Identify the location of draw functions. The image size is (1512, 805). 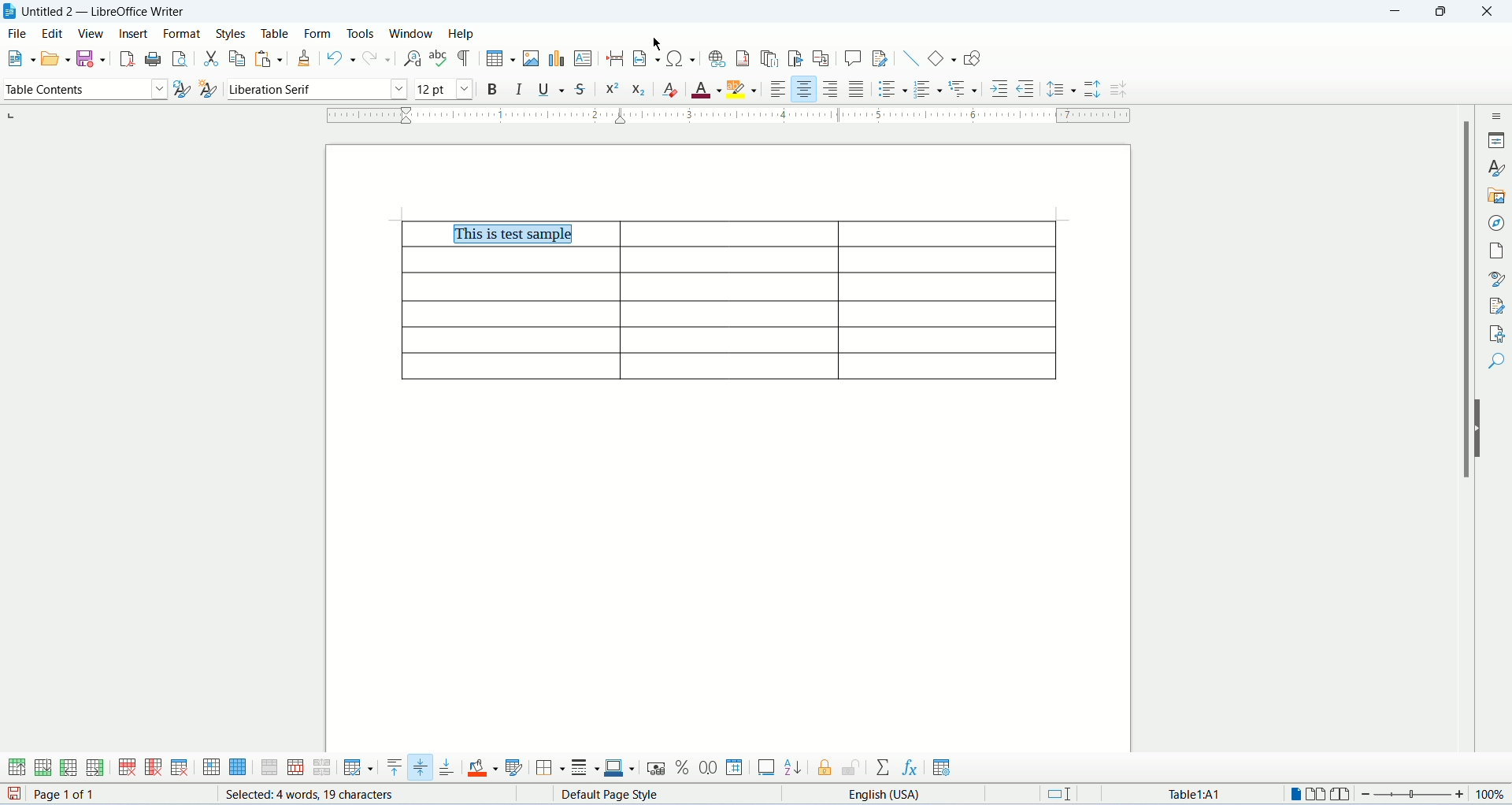
(973, 57).